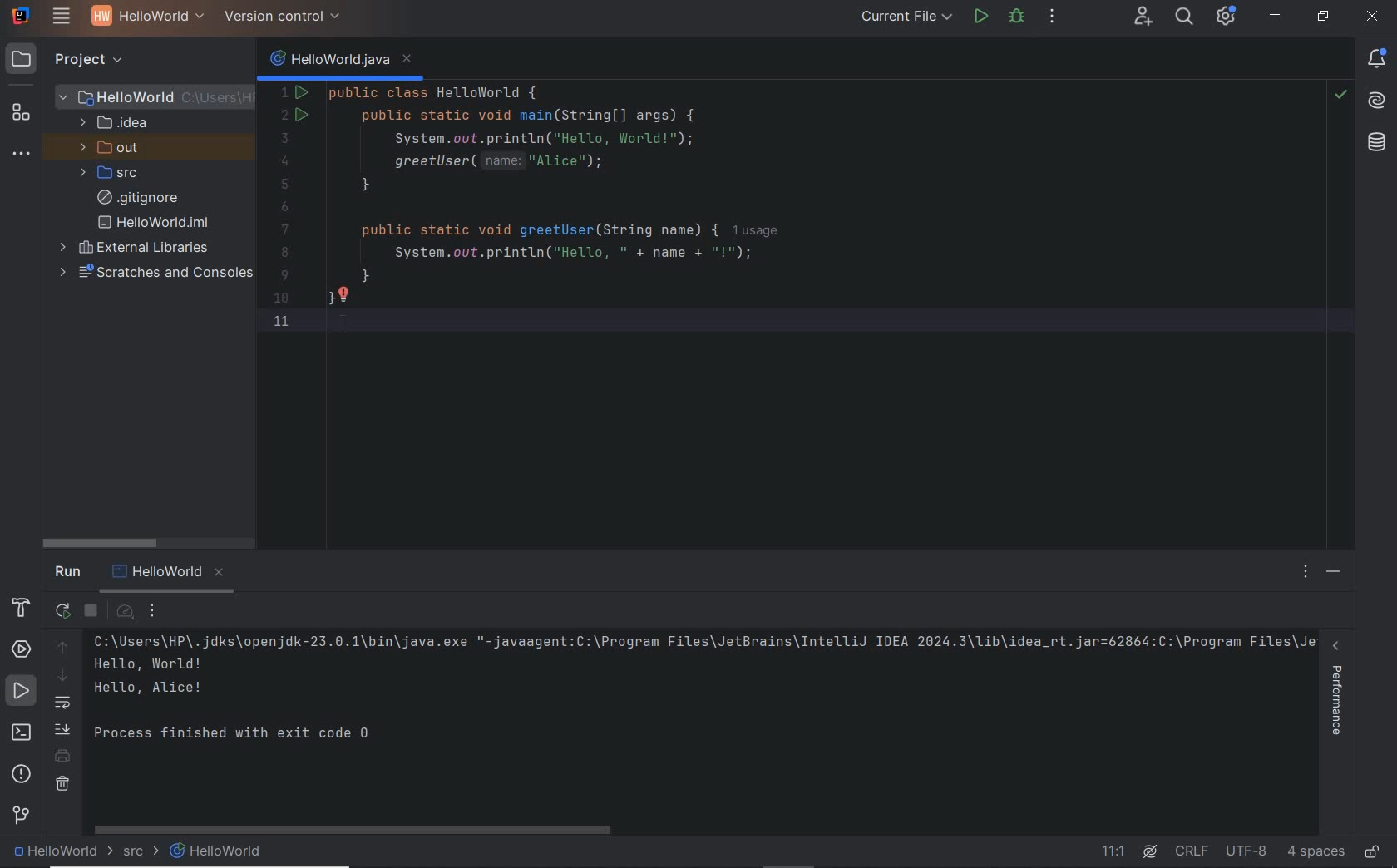 The image size is (1397, 868). Describe the element at coordinates (131, 538) in the screenshot. I see `Scroll bar` at that location.